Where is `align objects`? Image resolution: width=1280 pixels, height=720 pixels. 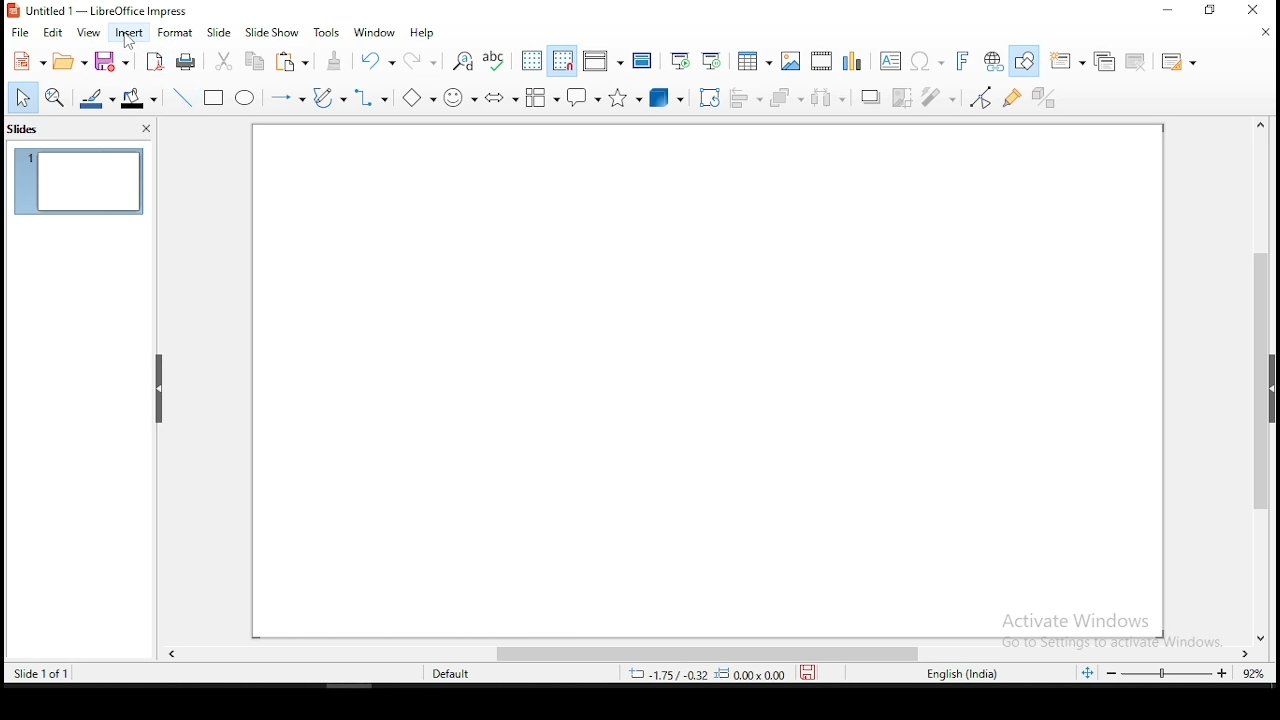 align objects is located at coordinates (745, 95).